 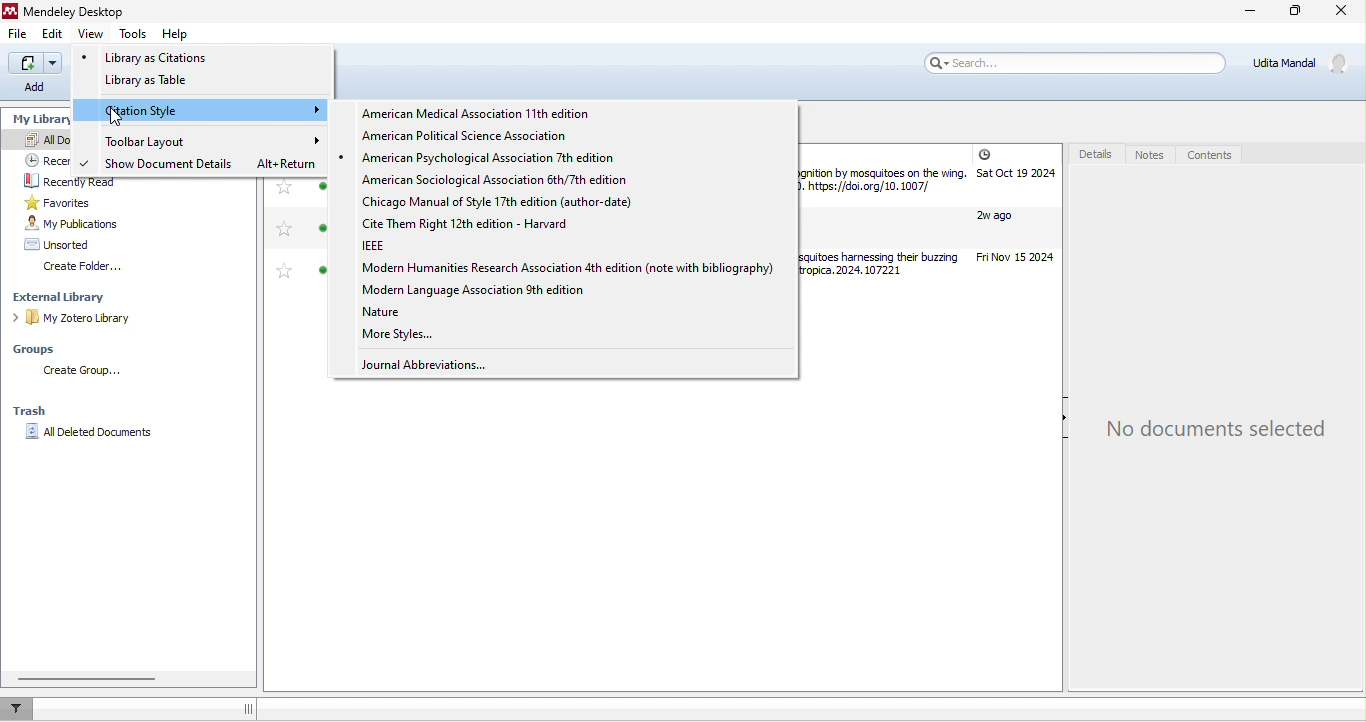 What do you see at coordinates (432, 366) in the screenshot?
I see `Journal Abbreviations...` at bounding box center [432, 366].